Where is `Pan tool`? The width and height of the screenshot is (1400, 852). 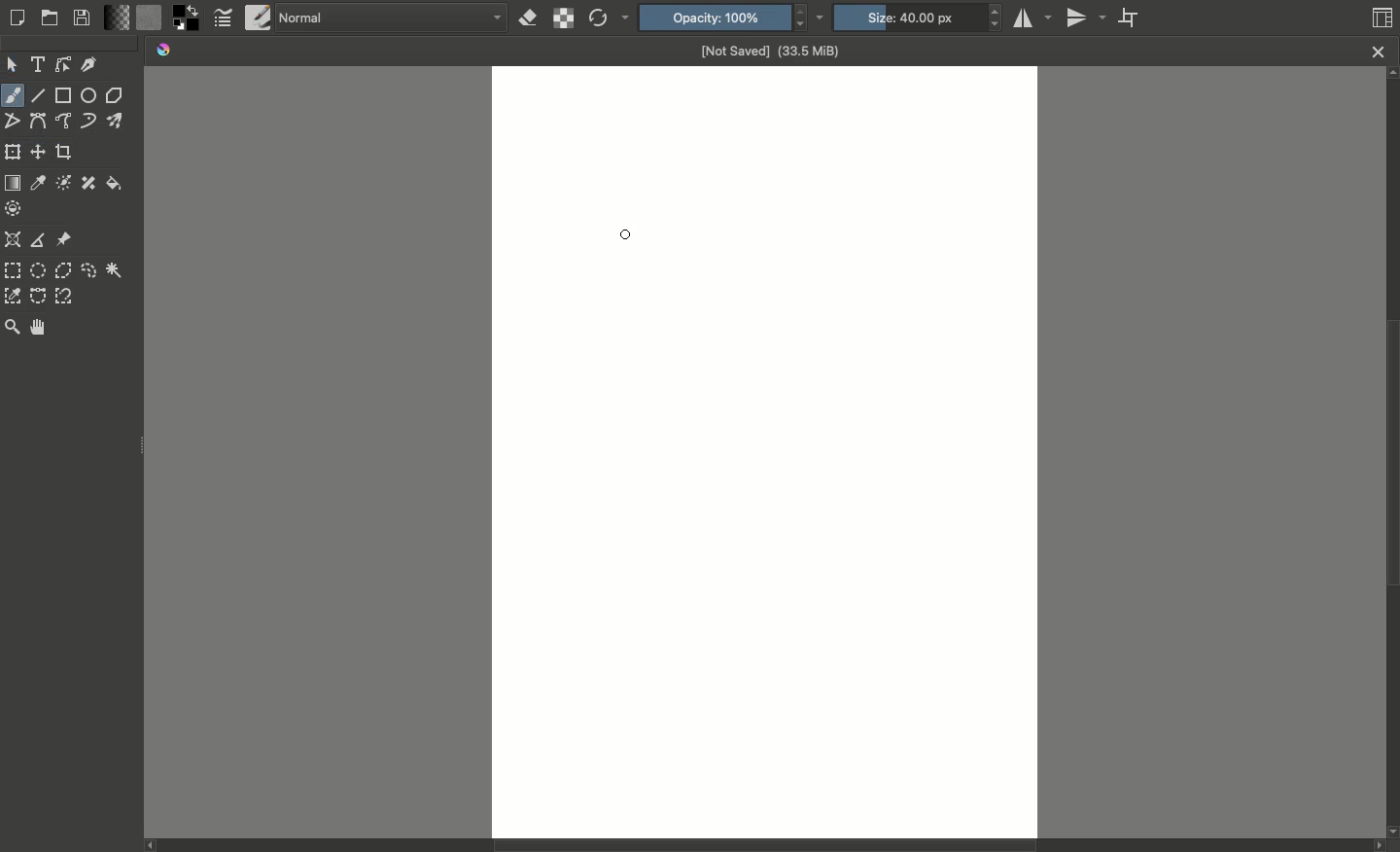 Pan tool is located at coordinates (39, 327).